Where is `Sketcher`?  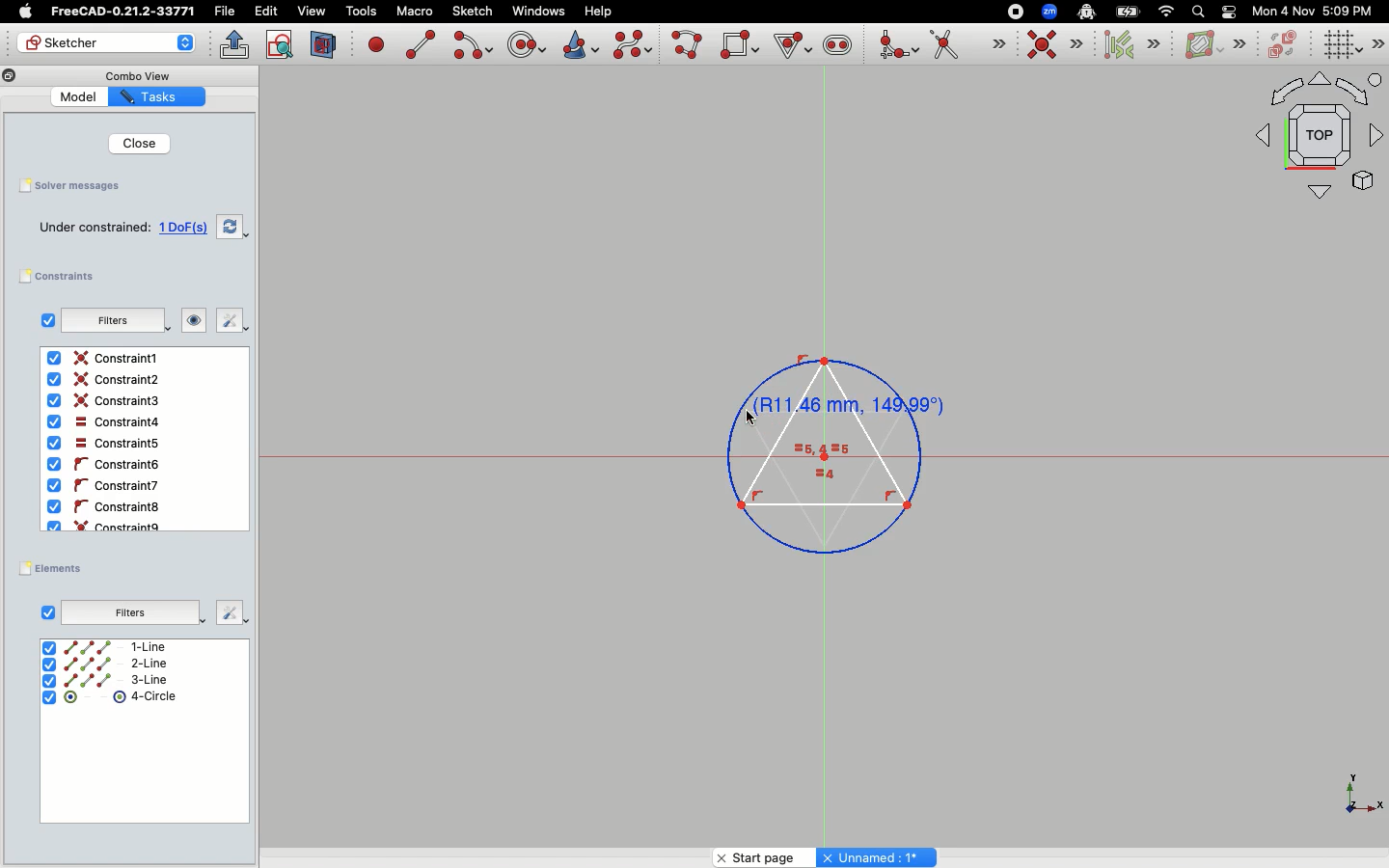
Sketcher is located at coordinates (108, 44).